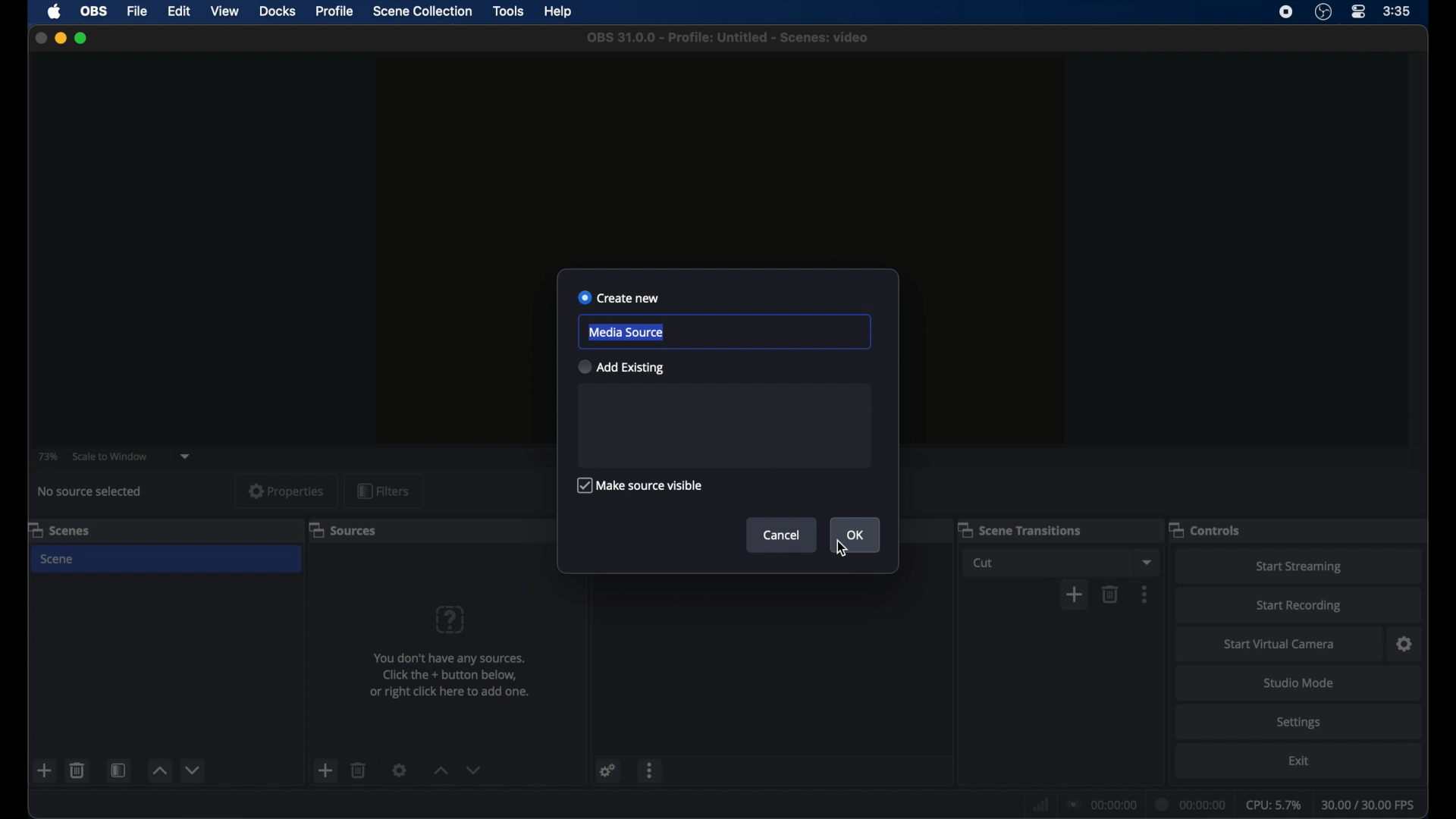  I want to click on add, so click(1074, 594).